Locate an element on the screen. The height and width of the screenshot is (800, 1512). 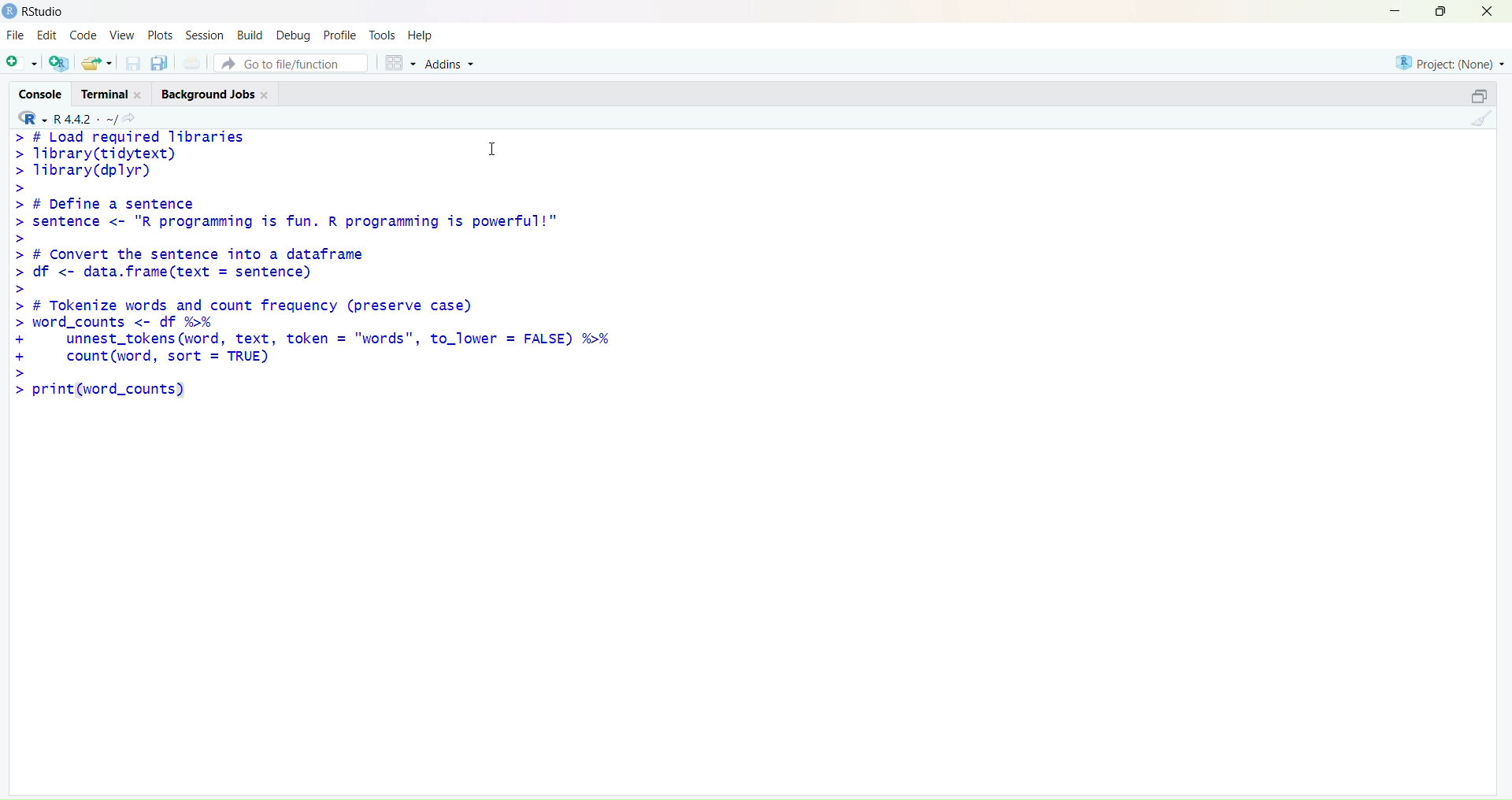
plots is located at coordinates (161, 35).